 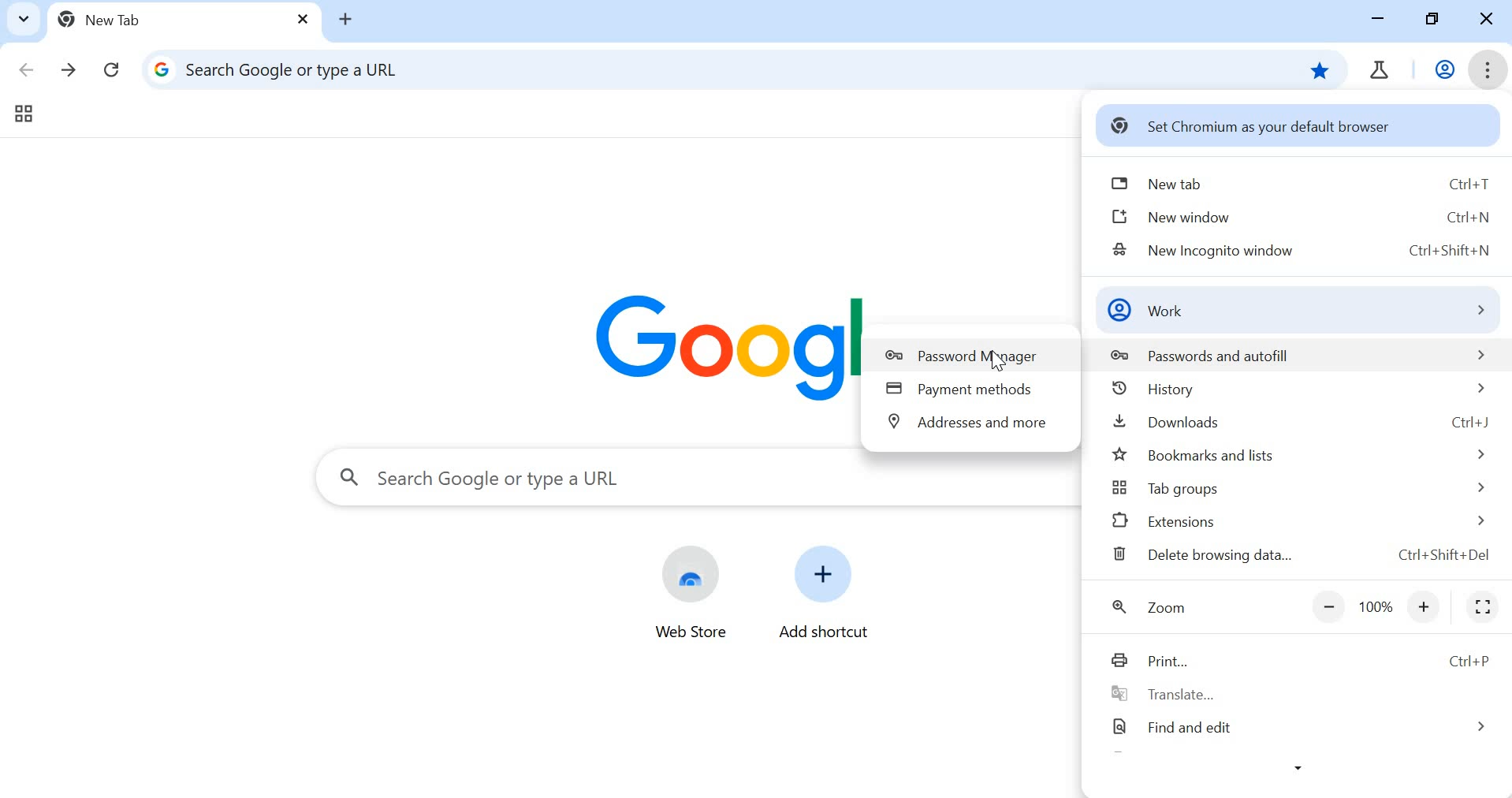 What do you see at coordinates (1491, 69) in the screenshot?
I see `customize and control chromium` at bounding box center [1491, 69].